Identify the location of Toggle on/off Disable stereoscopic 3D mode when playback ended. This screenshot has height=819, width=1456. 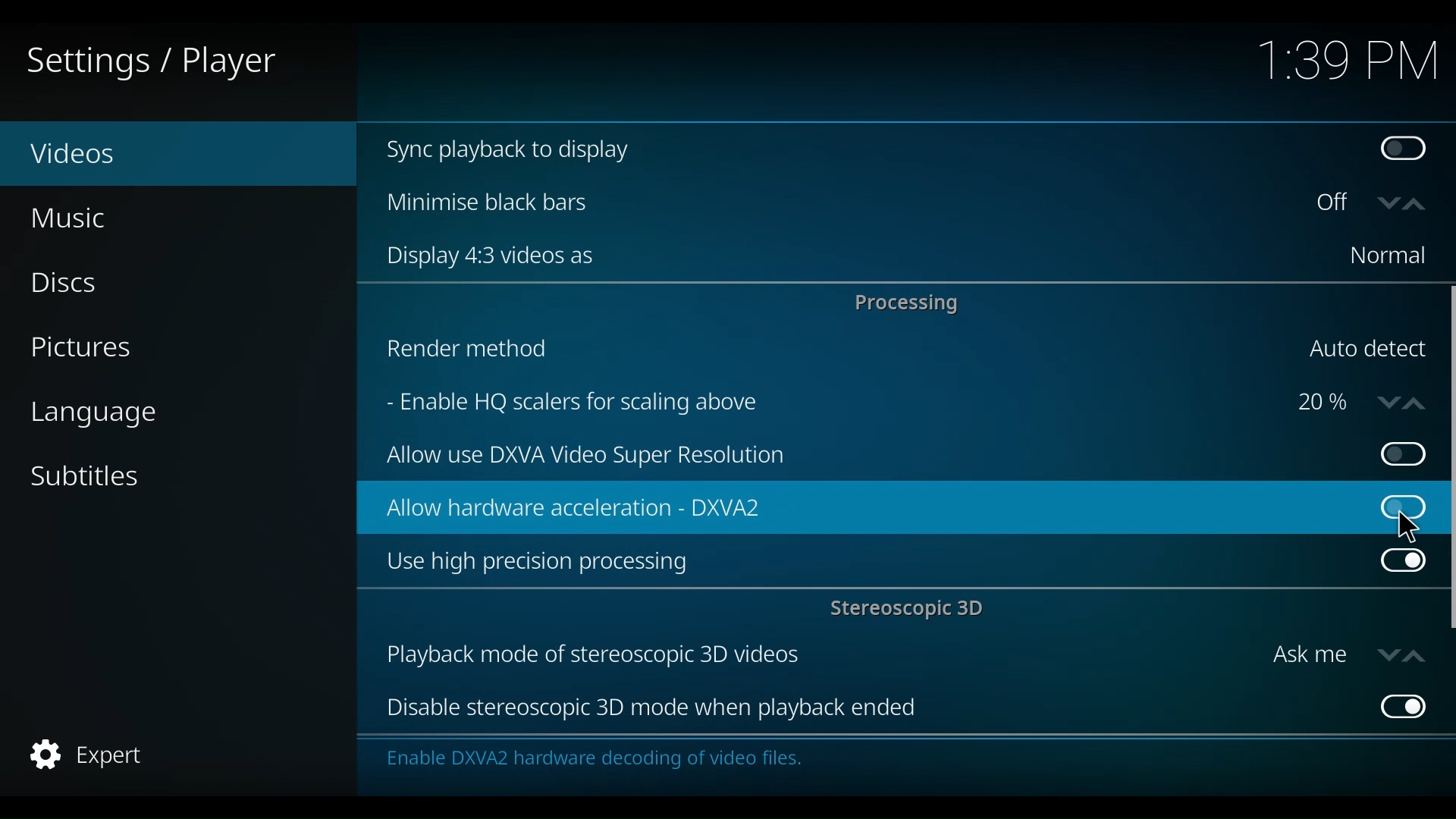
(1400, 705).